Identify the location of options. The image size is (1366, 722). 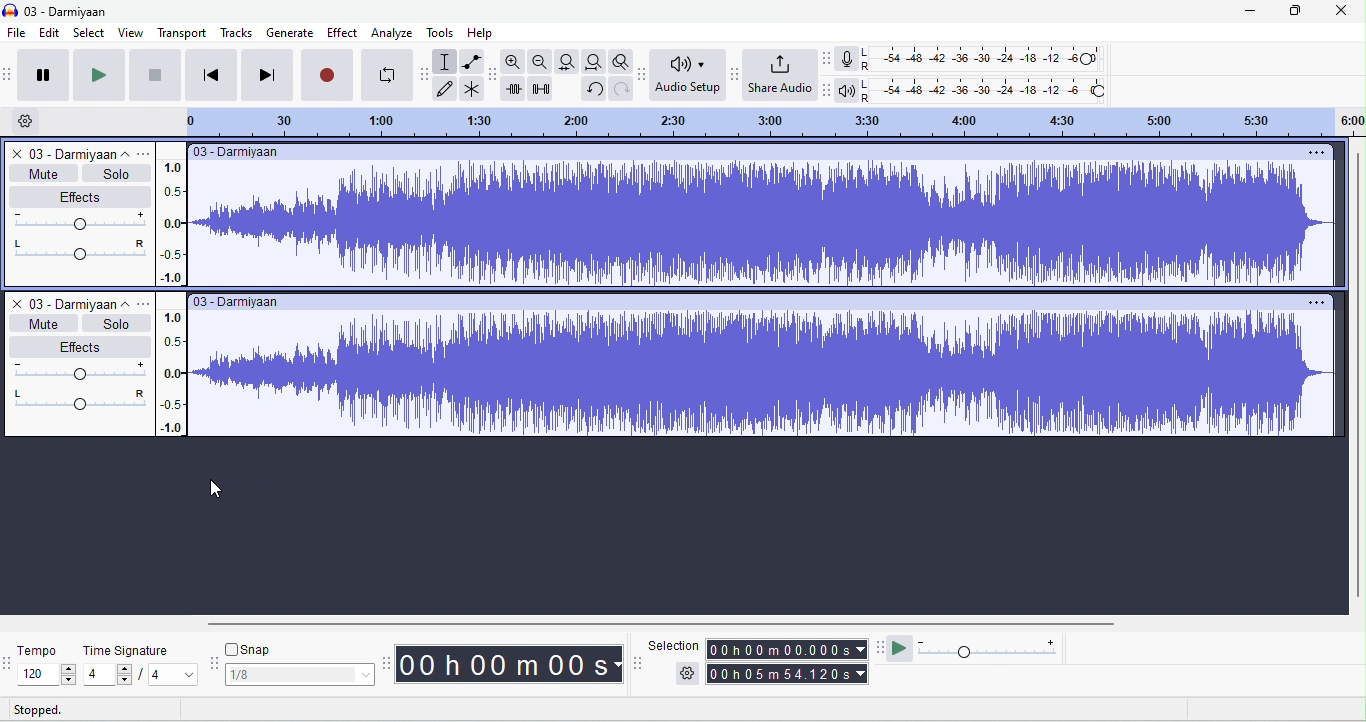
(146, 299).